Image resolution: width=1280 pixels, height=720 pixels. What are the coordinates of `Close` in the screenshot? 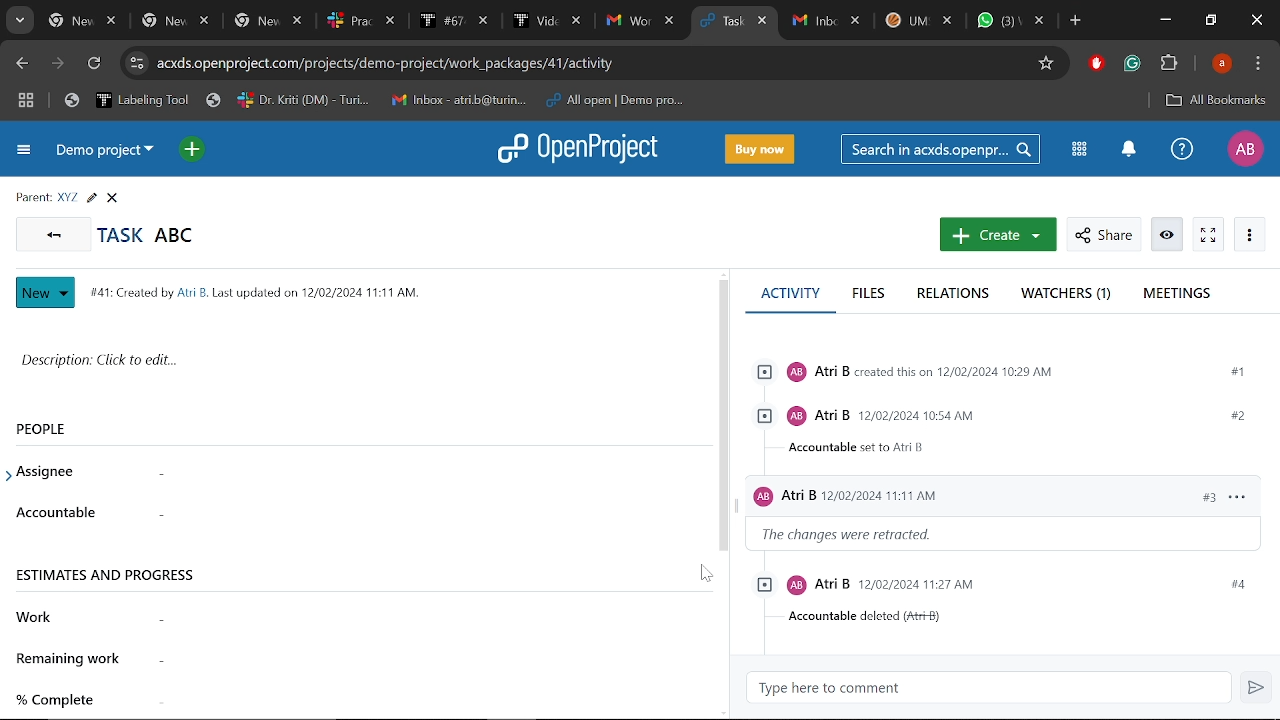 It's located at (1254, 20).